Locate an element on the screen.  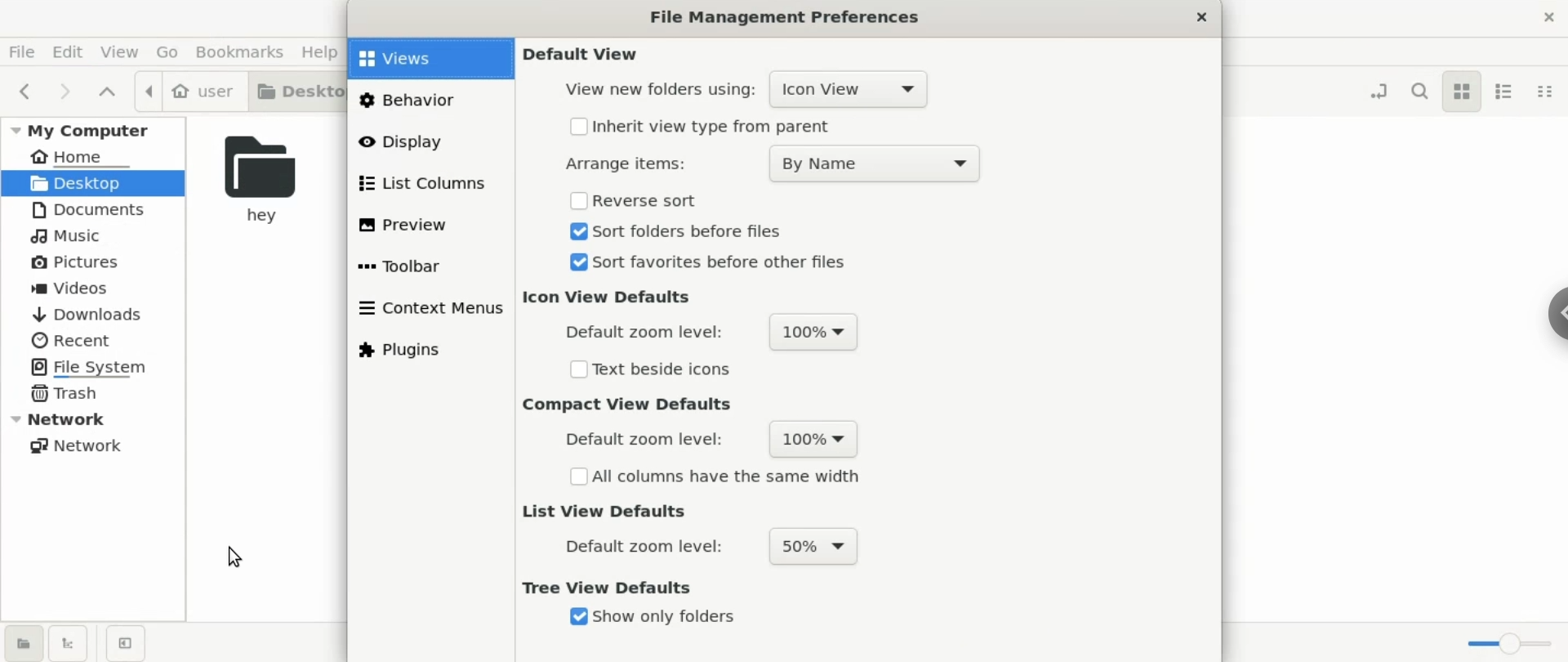
zoom is located at coordinates (1508, 643).